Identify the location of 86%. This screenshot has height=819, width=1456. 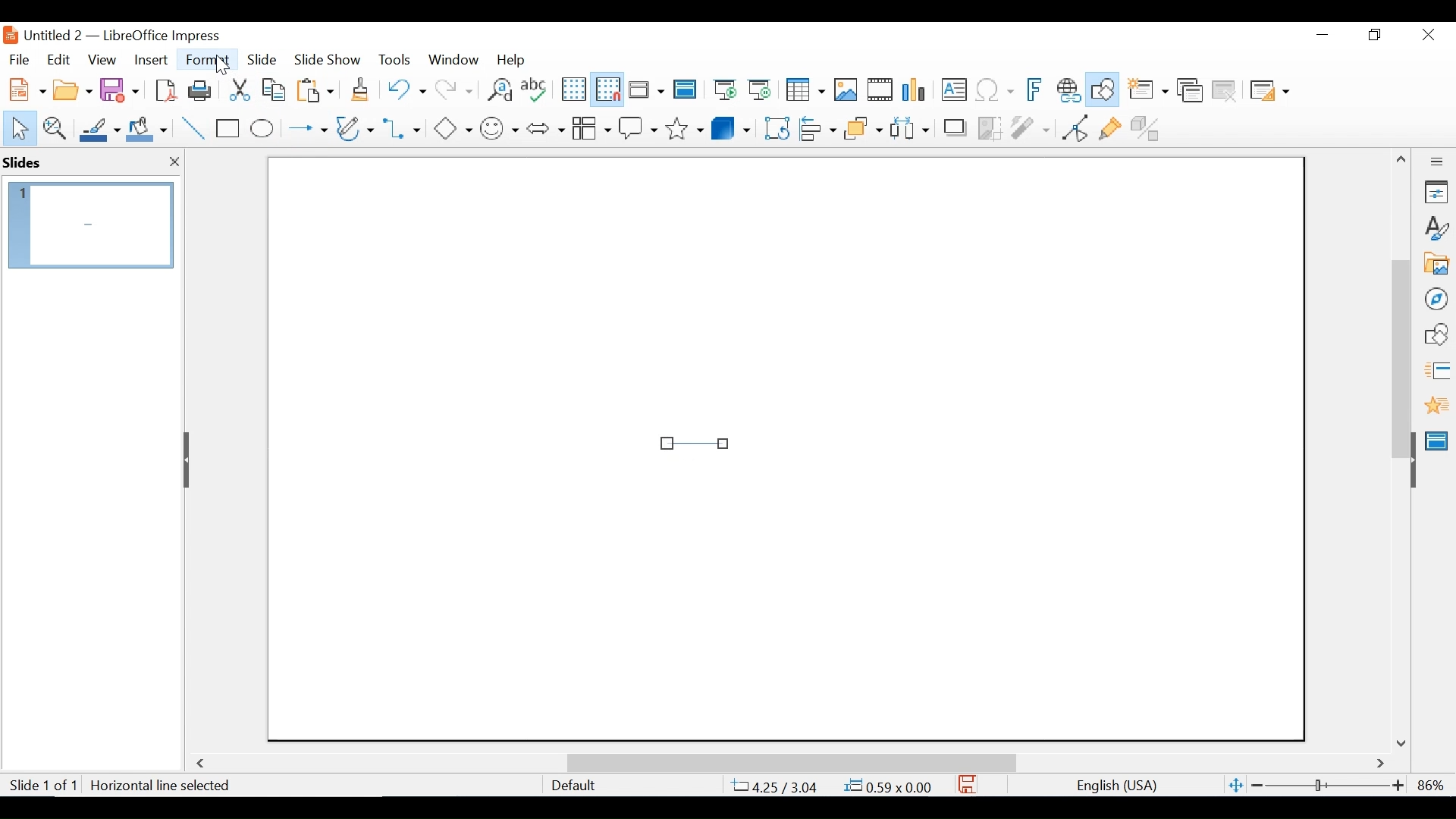
(1434, 785).